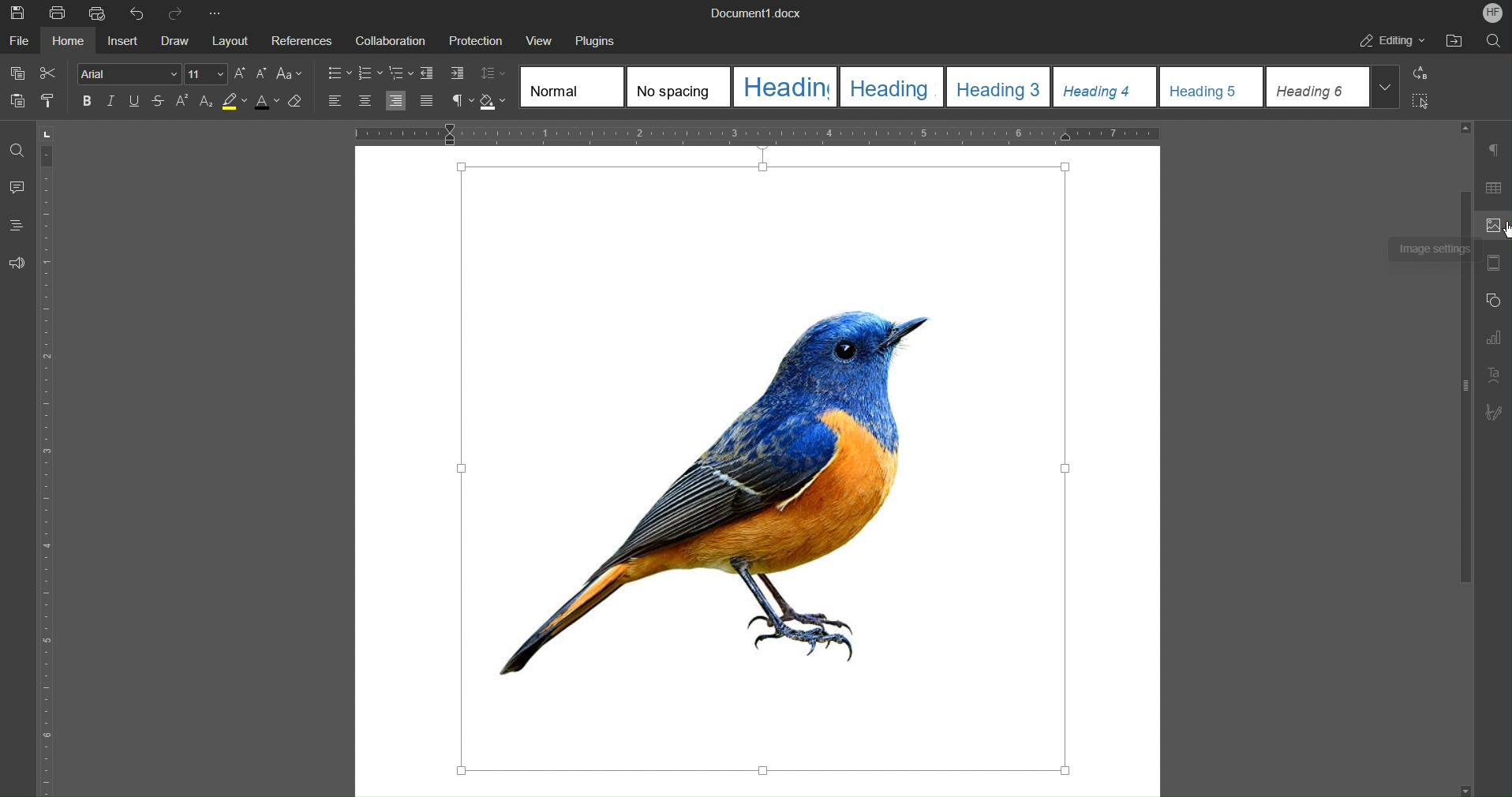  Describe the element at coordinates (494, 102) in the screenshot. I see `Shading` at that location.